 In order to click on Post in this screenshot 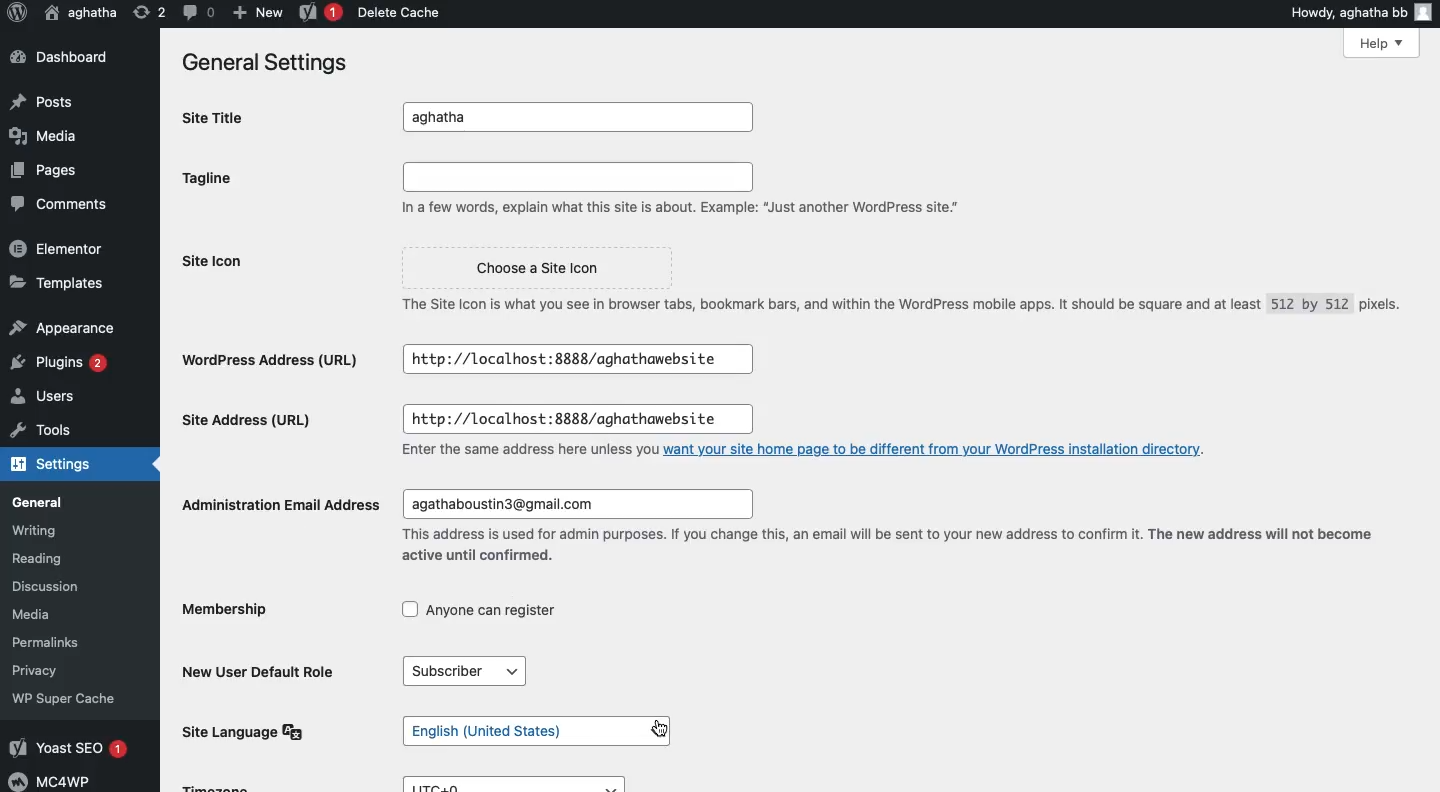, I will do `click(47, 99)`.